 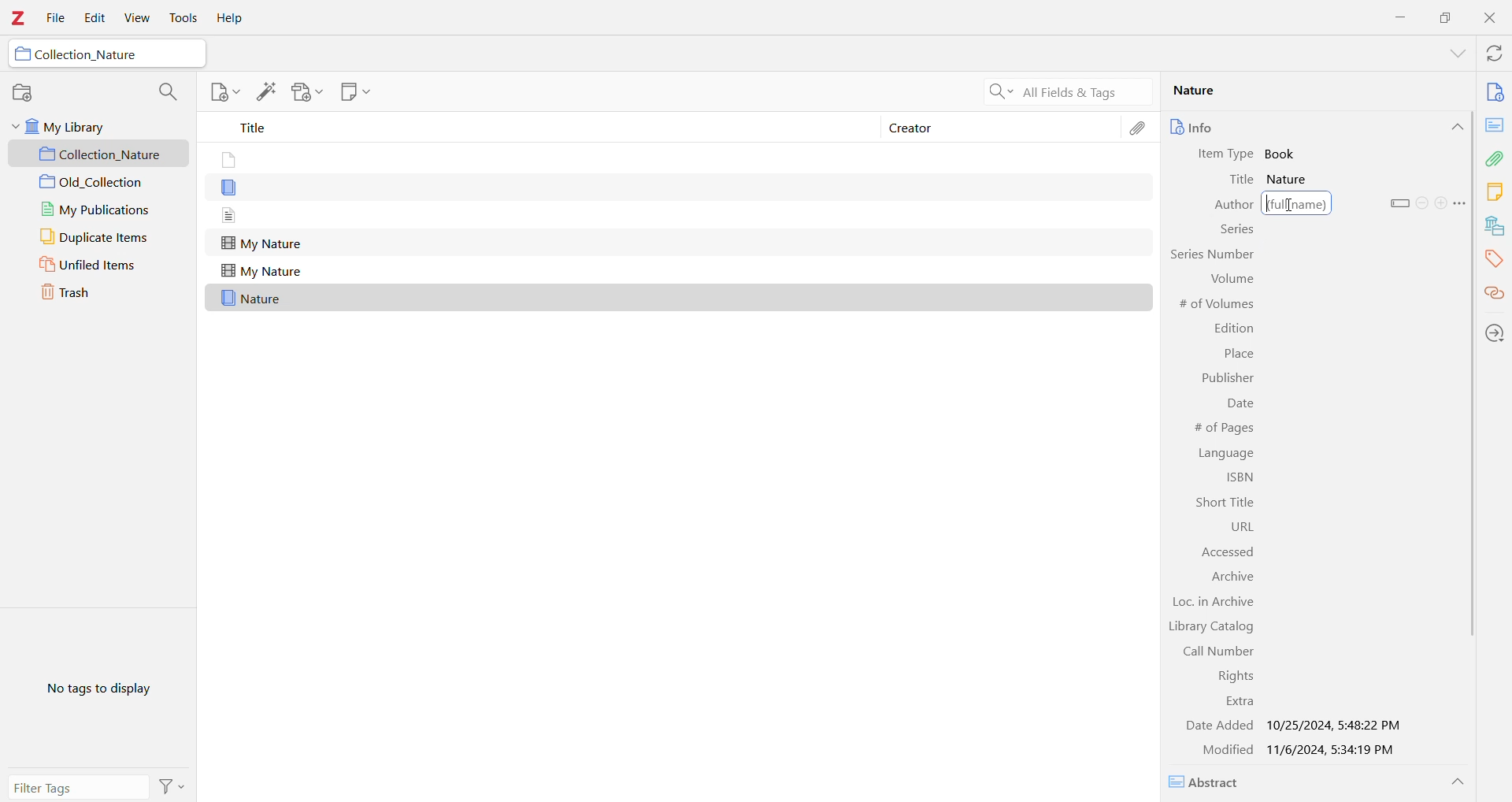 What do you see at coordinates (230, 215) in the screenshot?
I see `item without title ` at bounding box center [230, 215].